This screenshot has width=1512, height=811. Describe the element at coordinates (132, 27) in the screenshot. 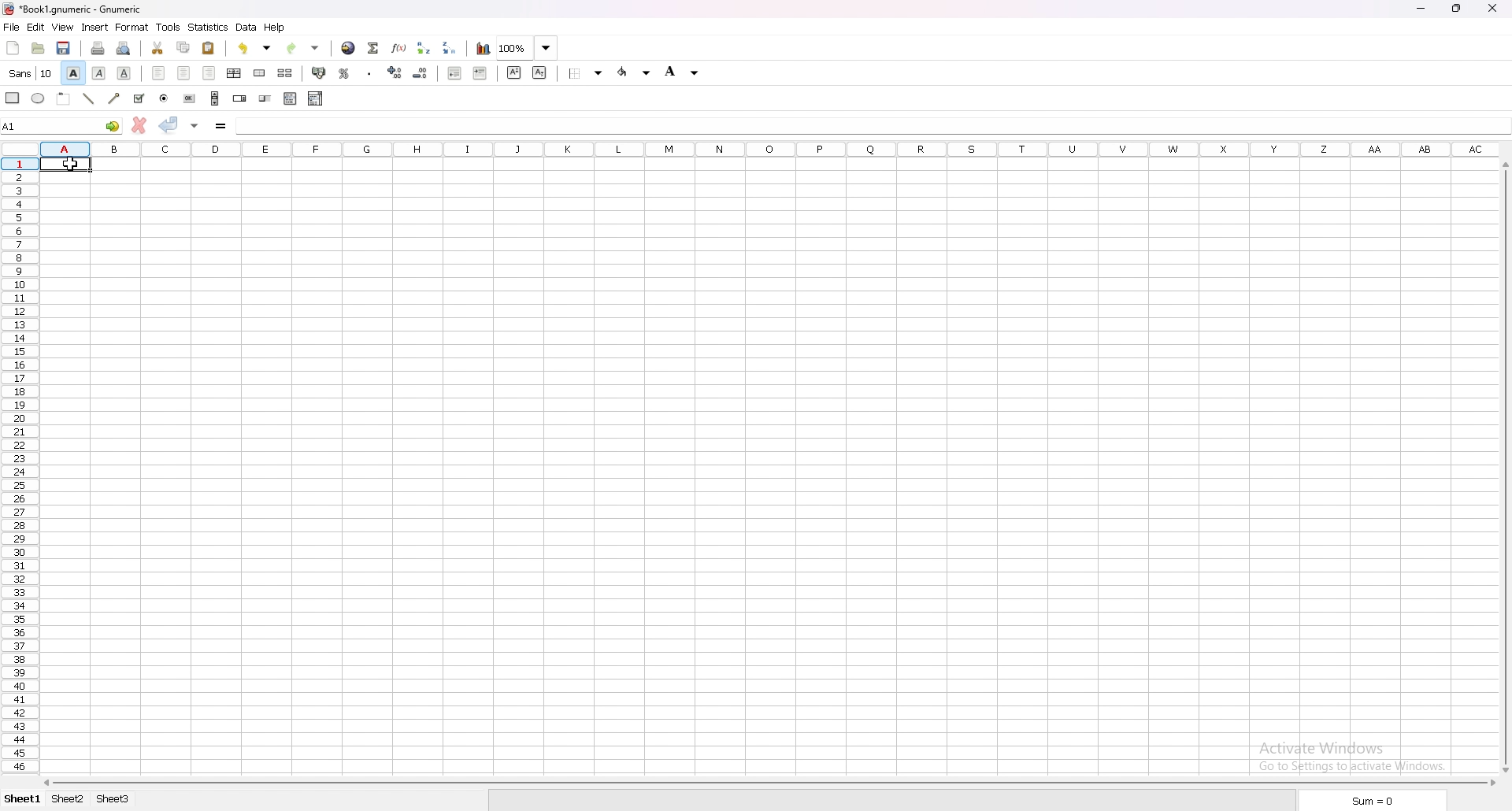

I see `format` at that location.